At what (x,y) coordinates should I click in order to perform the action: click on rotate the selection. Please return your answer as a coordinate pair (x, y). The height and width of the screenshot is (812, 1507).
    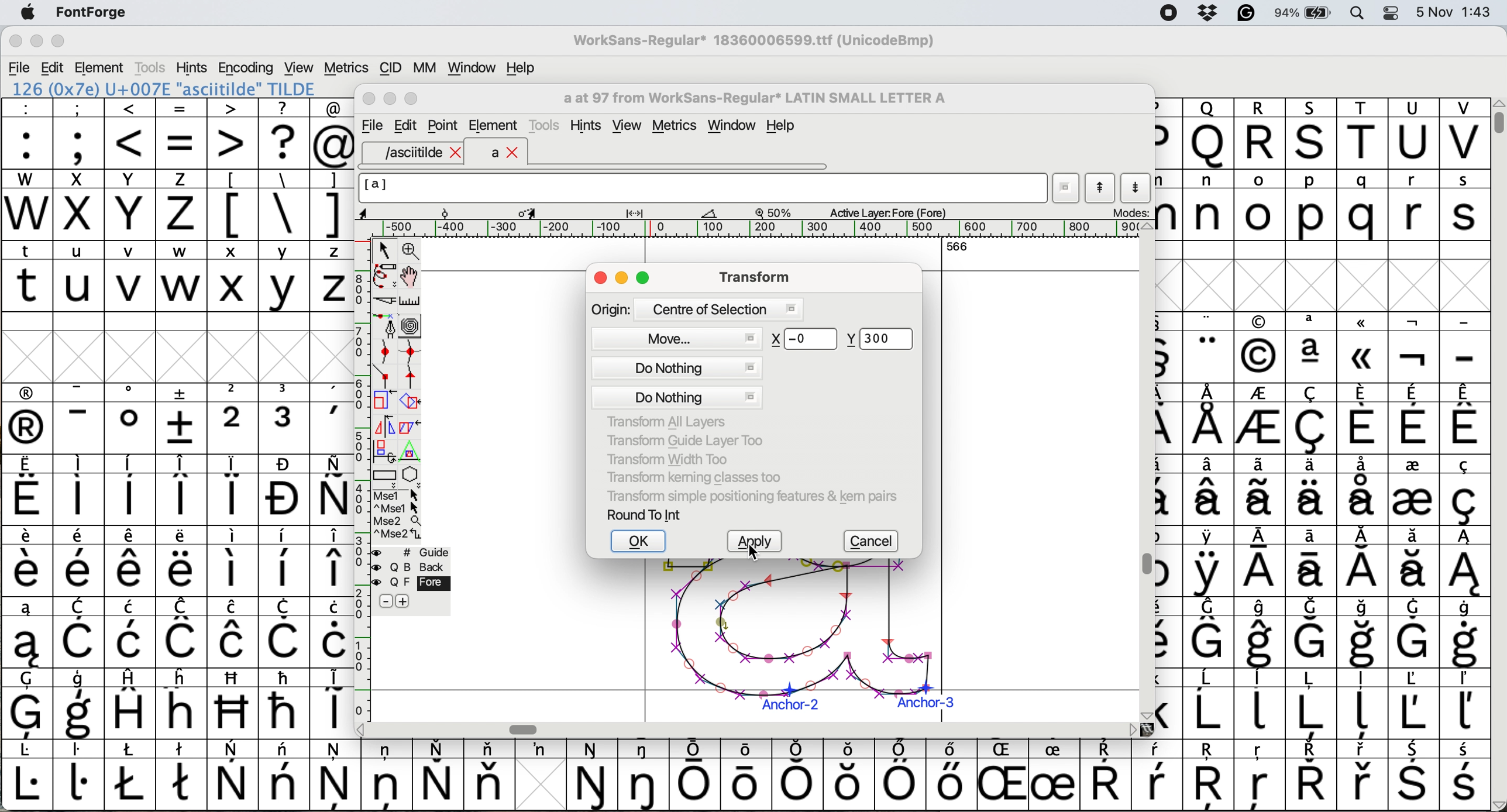
    Looking at the image, I should click on (416, 402).